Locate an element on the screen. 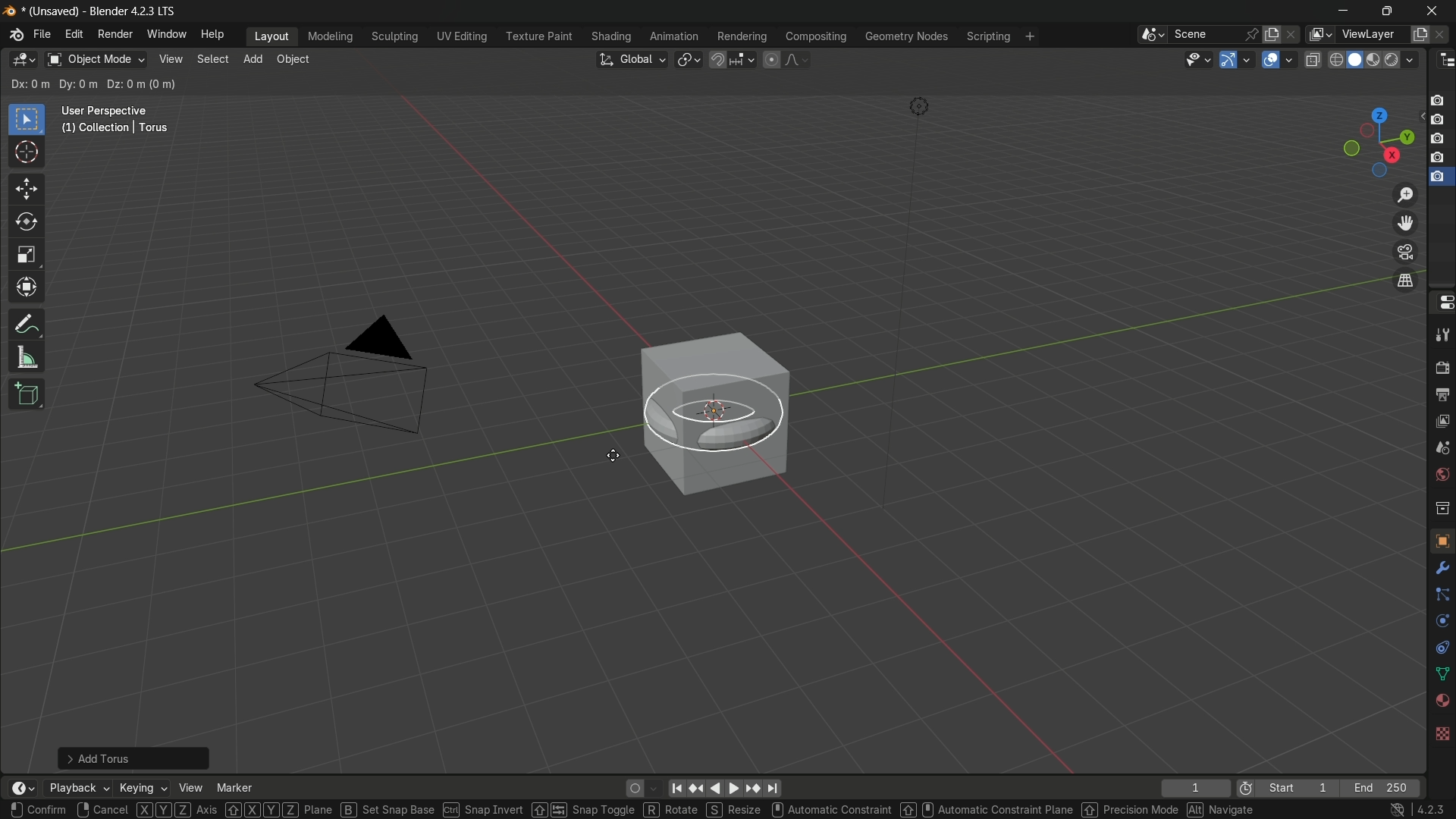 This screenshot has height=819, width=1456. confirm is located at coordinates (39, 808).